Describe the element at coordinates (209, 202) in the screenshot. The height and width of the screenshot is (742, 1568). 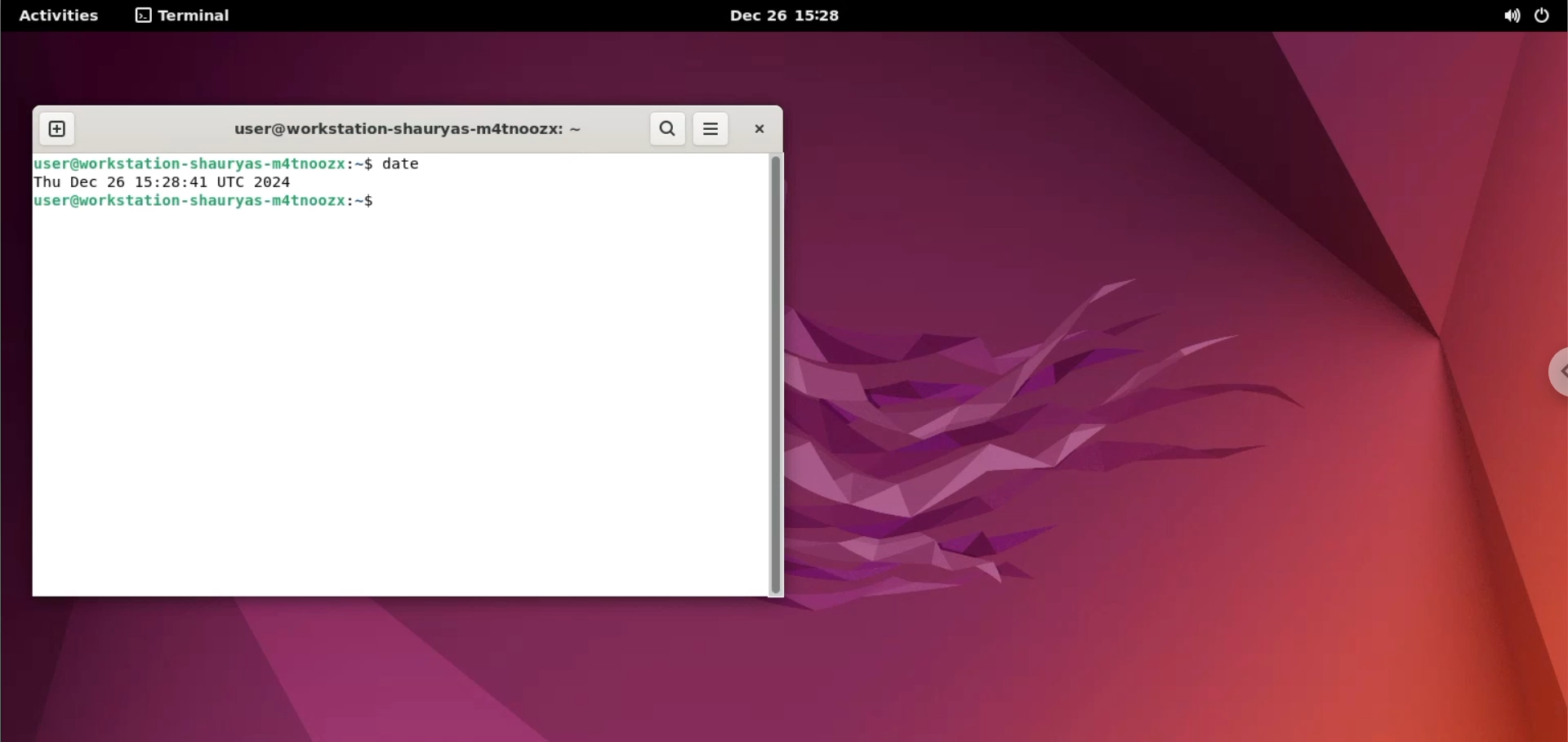
I see `user@workstation-shauryas-m4tnoozx:~$` at that location.